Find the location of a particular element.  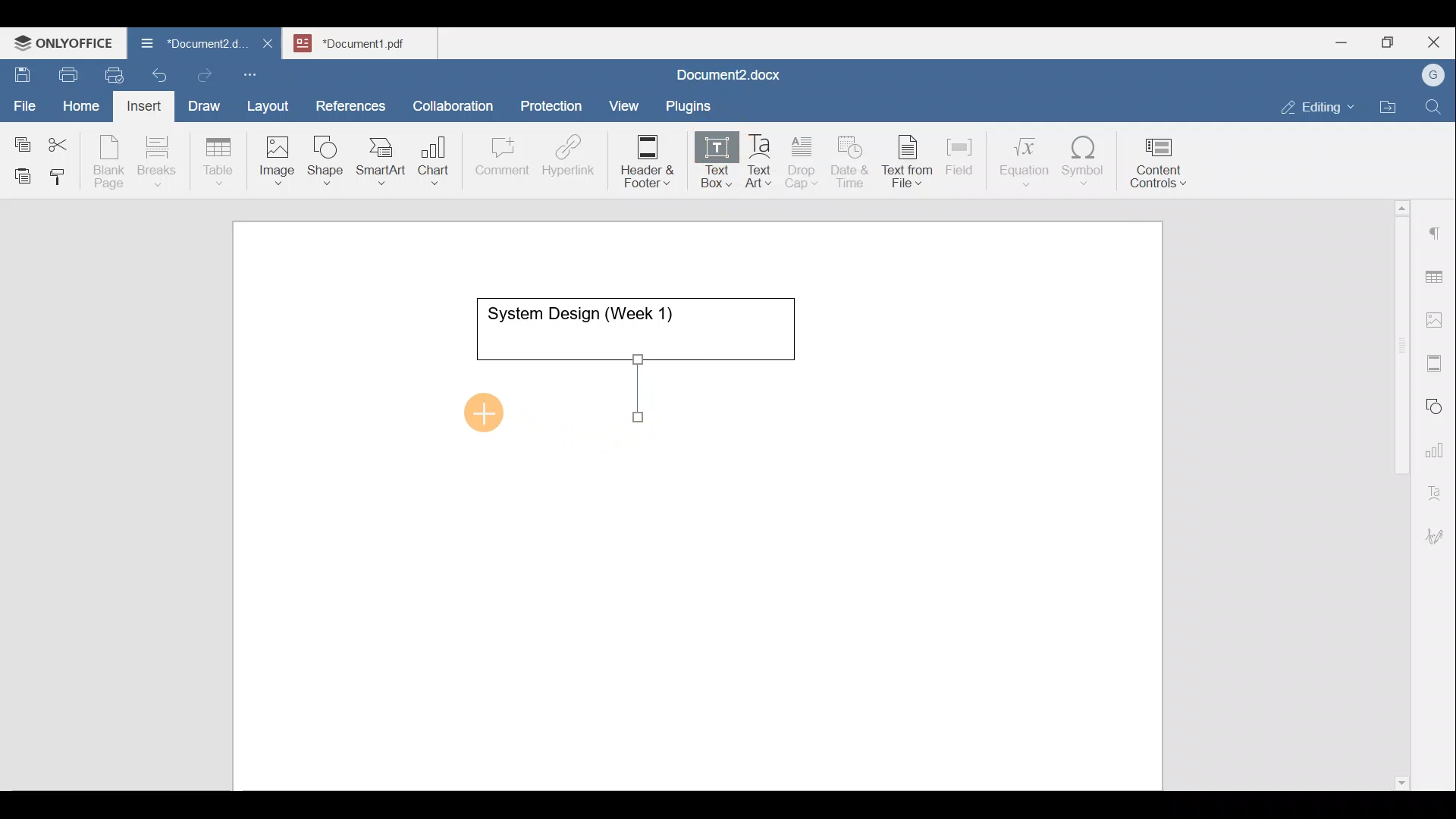

Chart settings is located at coordinates (1438, 444).